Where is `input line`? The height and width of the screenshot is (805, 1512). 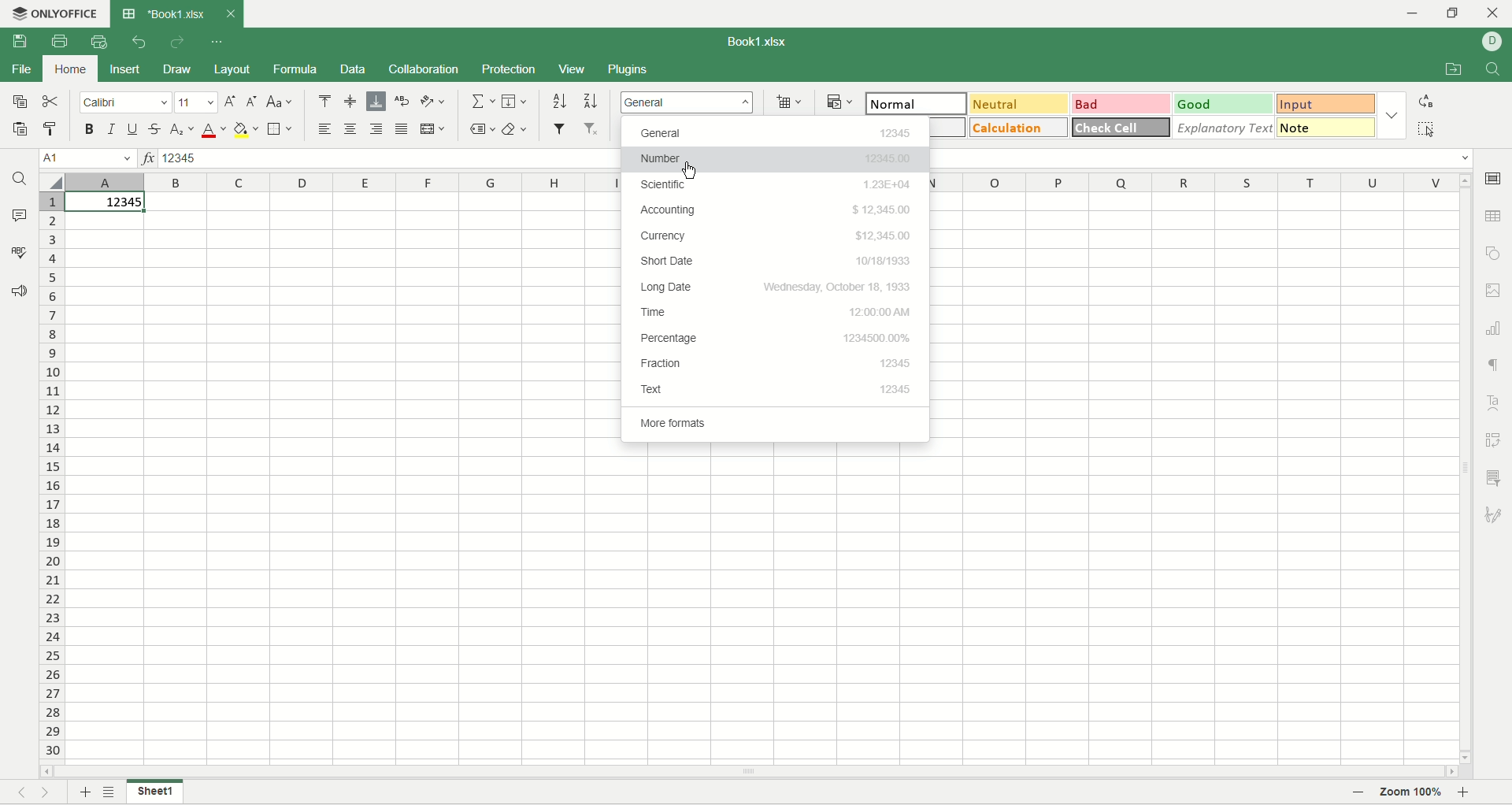 input line is located at coordinates (395, 159).